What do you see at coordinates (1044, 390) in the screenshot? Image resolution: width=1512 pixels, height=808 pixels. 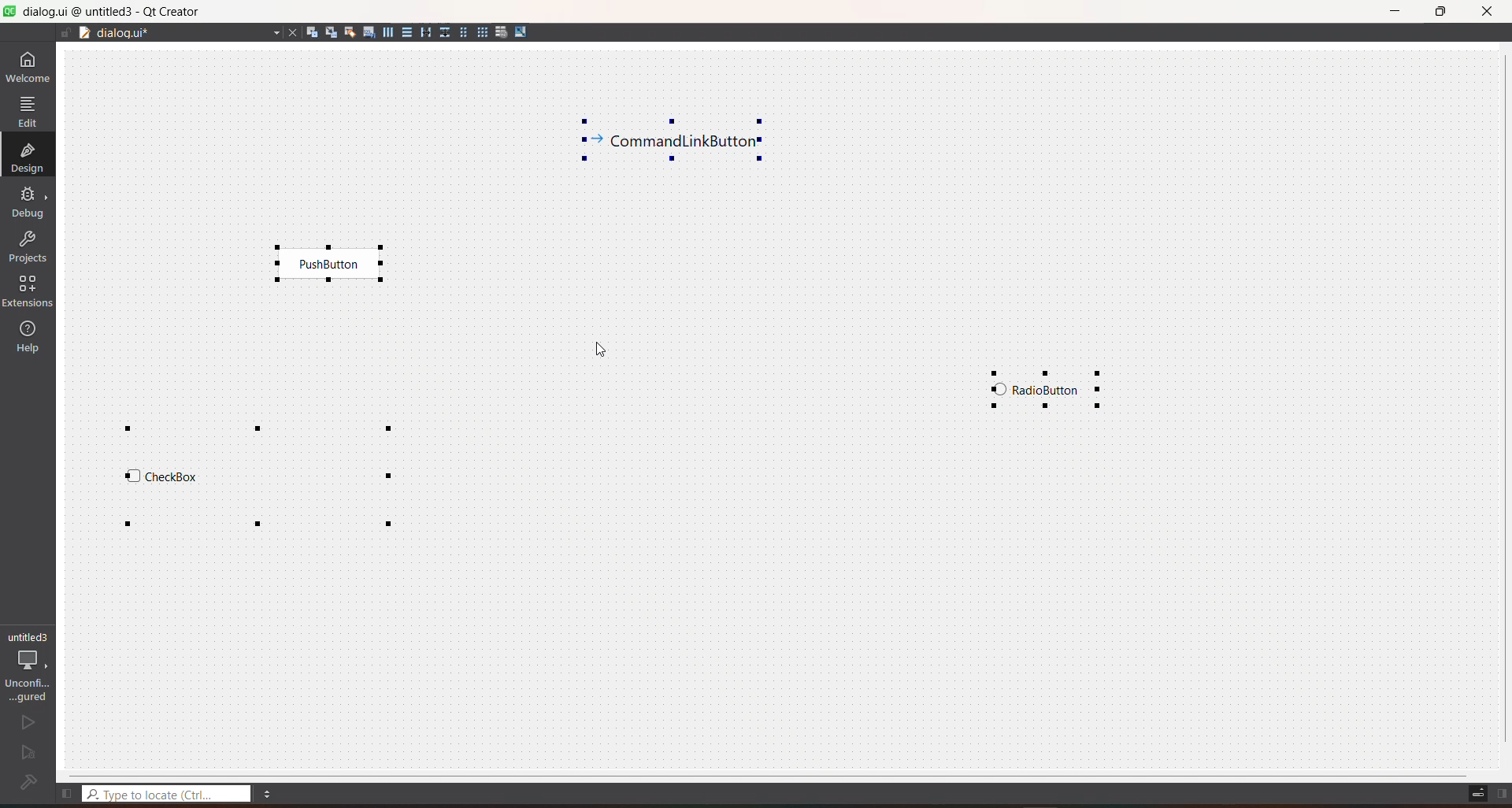 I see `selected widget 1` at bounding box center [1044, 390].